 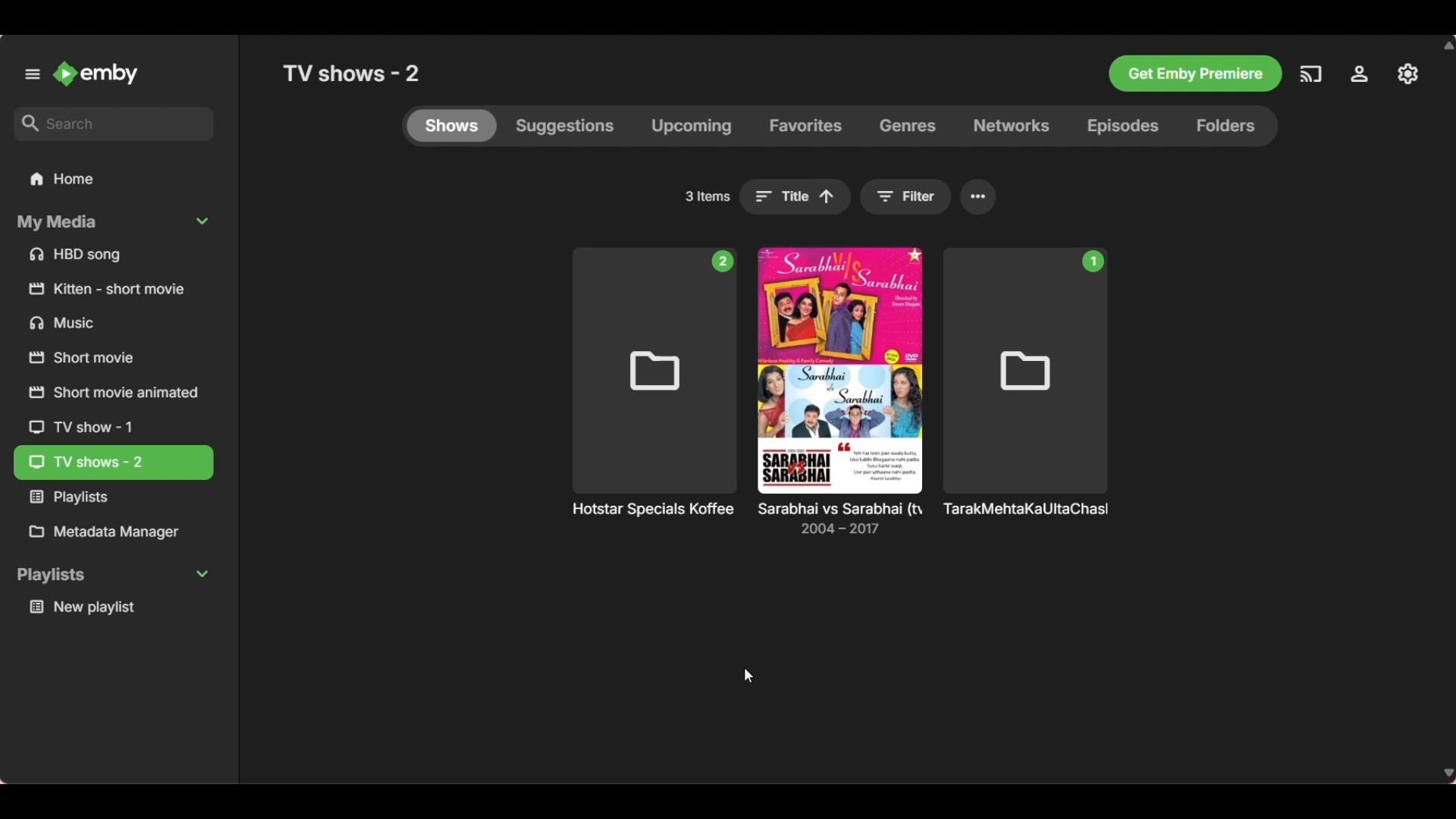 What do you see at coordinates (566, 126) in the screenshot?
I see `Suggestions` at bounding box center [566, 126].